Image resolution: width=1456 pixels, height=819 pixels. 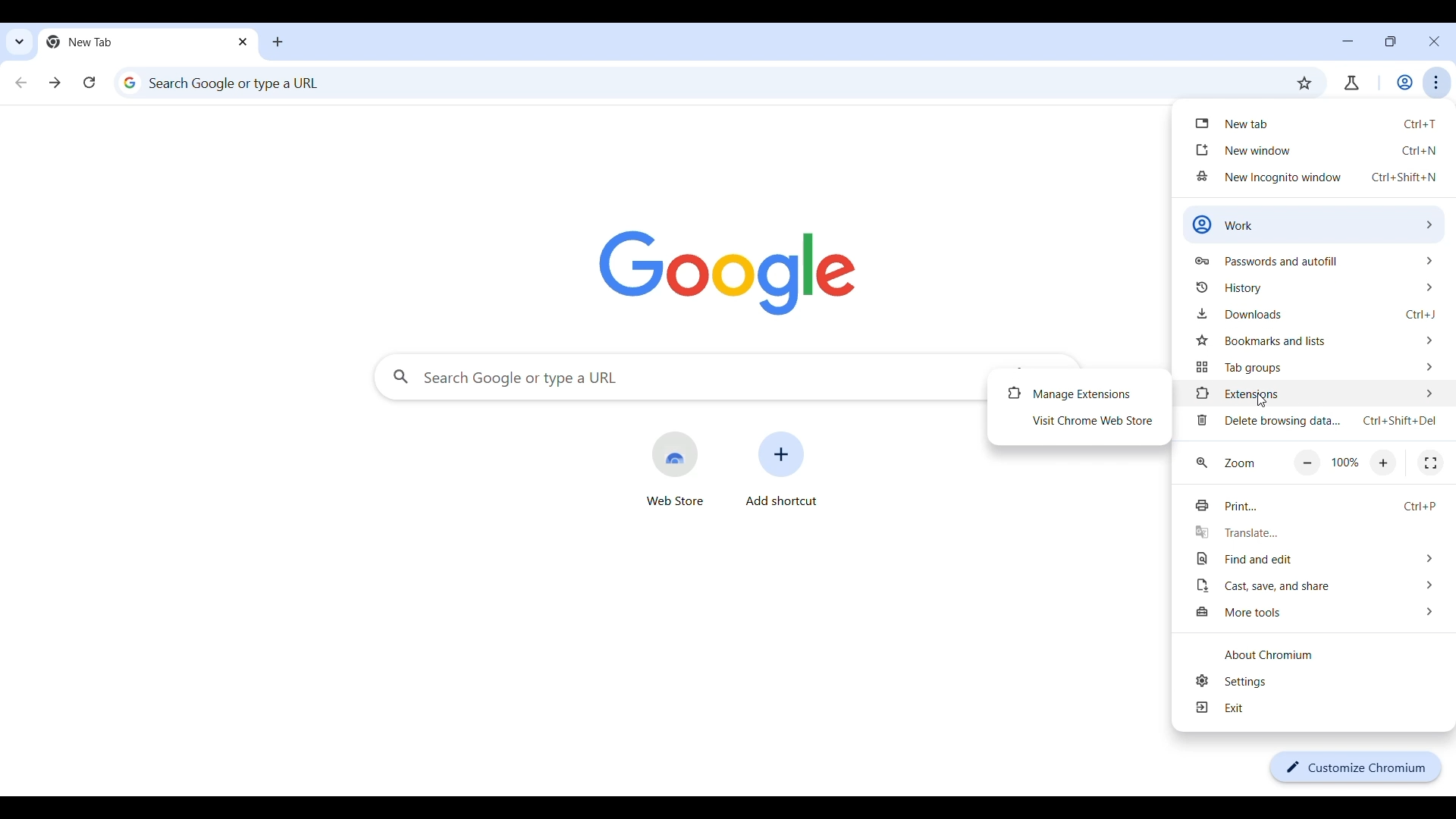 What do you see at coordinates (1314, 367) in the screenshot?
I see `Tab group options` at bounding box center [1314, 367].